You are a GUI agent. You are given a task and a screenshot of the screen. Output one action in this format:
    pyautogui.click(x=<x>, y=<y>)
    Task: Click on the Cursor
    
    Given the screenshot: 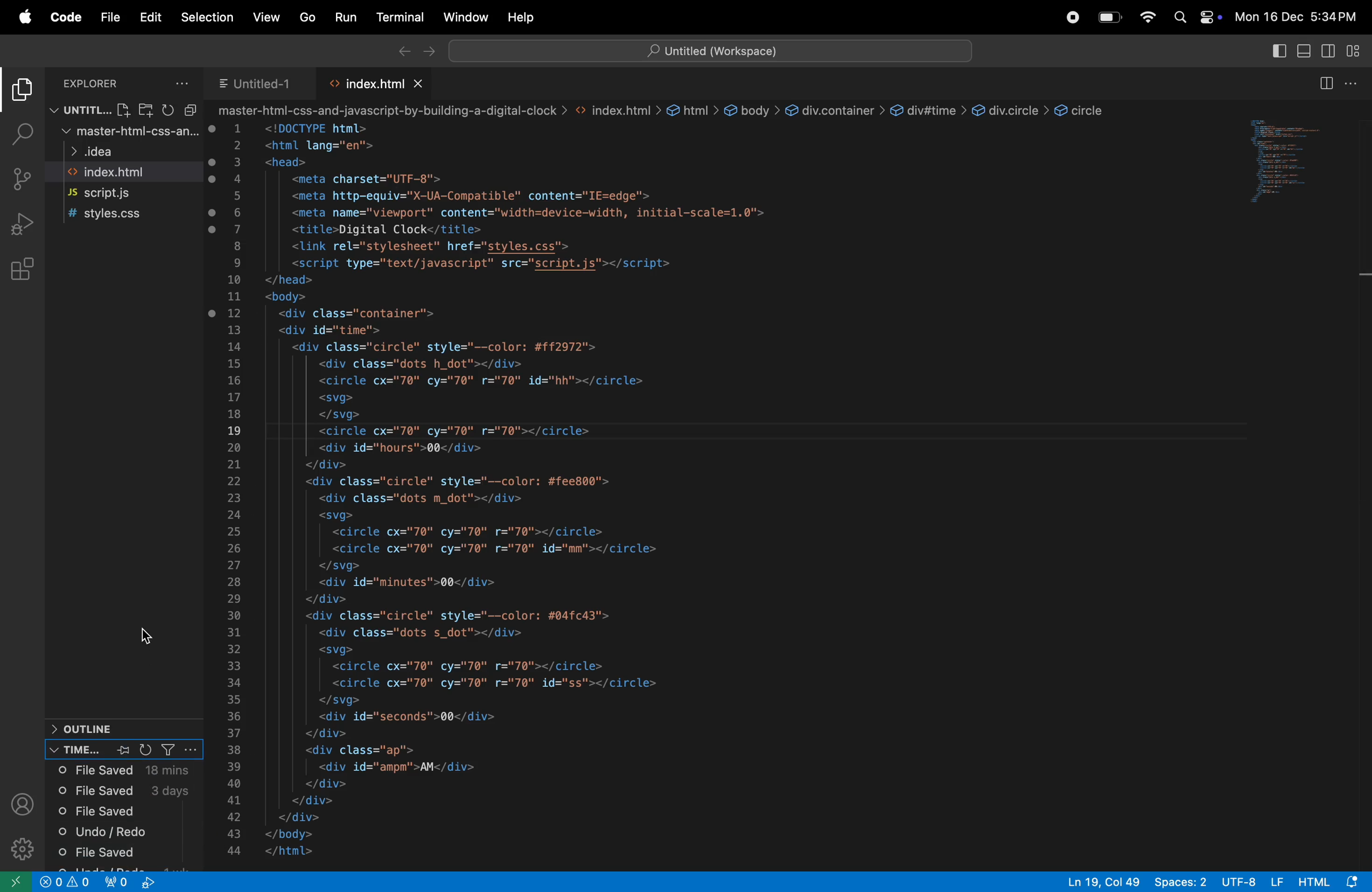 What is the action you would take?
    pyautogui.click(x=146, y=638)
    